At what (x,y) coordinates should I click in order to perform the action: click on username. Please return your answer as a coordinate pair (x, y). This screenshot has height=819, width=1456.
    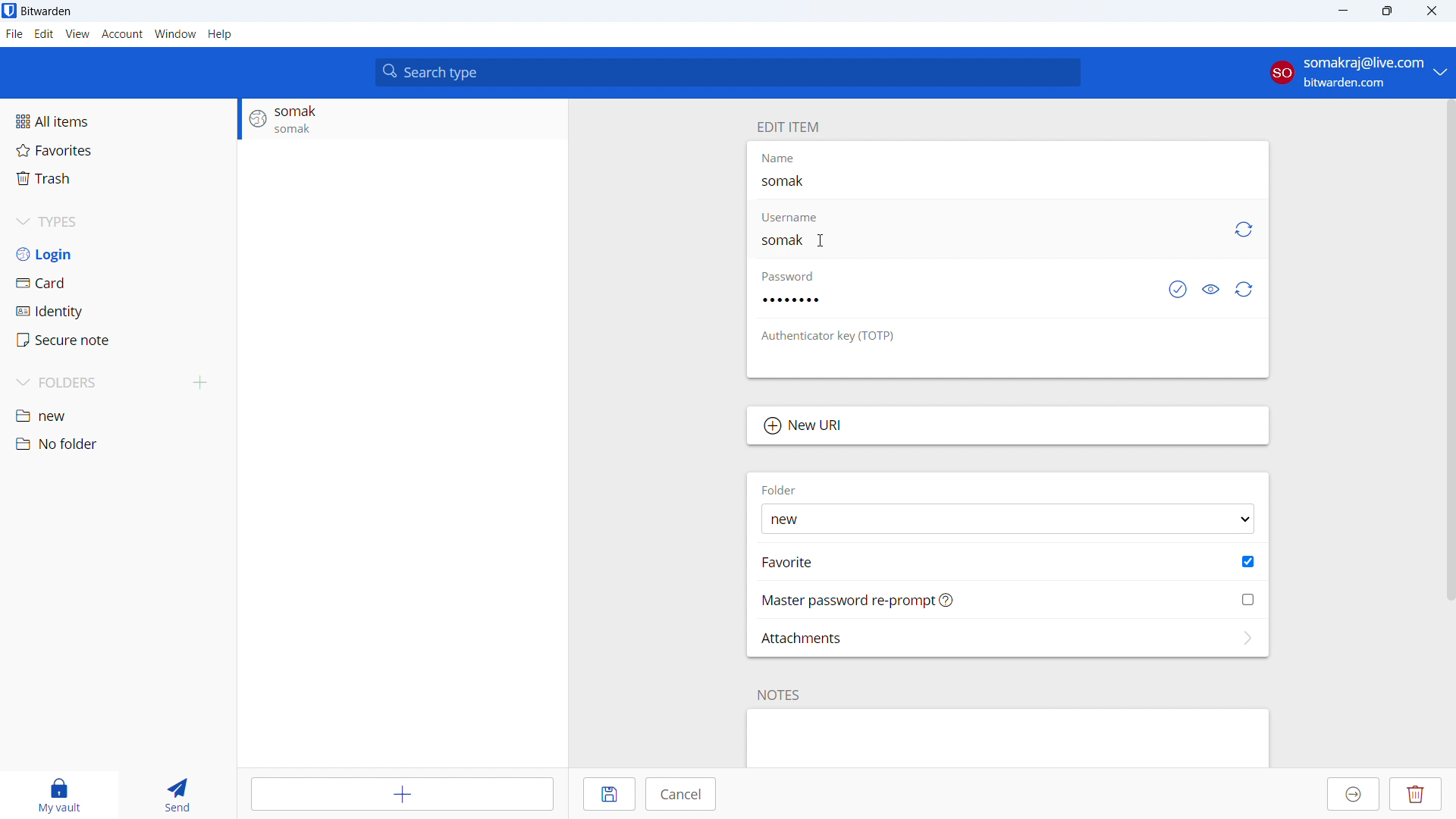
    Looking at the image, I should click on (795, 215).